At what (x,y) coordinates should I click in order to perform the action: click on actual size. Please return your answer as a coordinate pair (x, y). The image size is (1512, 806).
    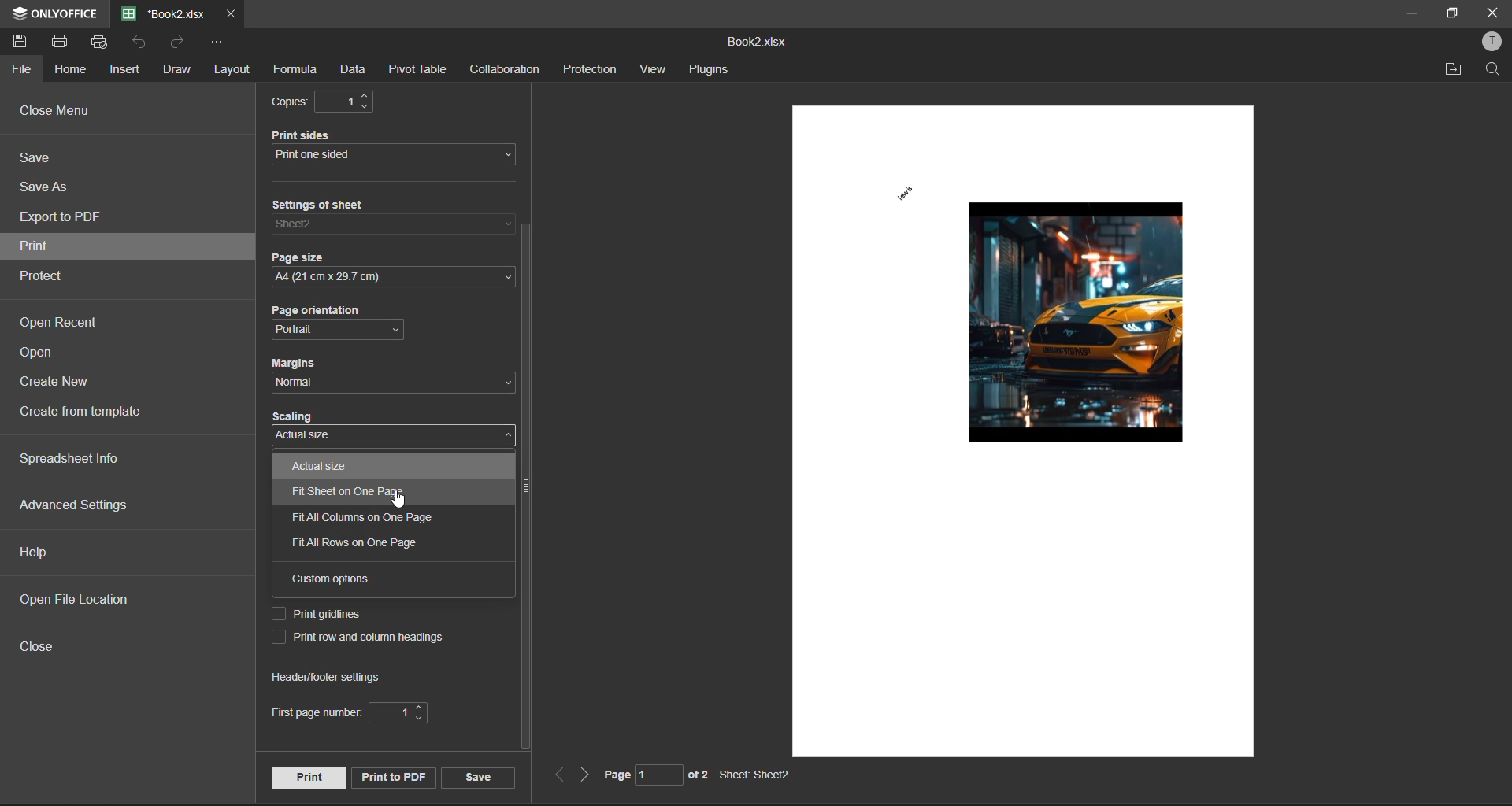
    Looking at the image, I should click on (320, 465).